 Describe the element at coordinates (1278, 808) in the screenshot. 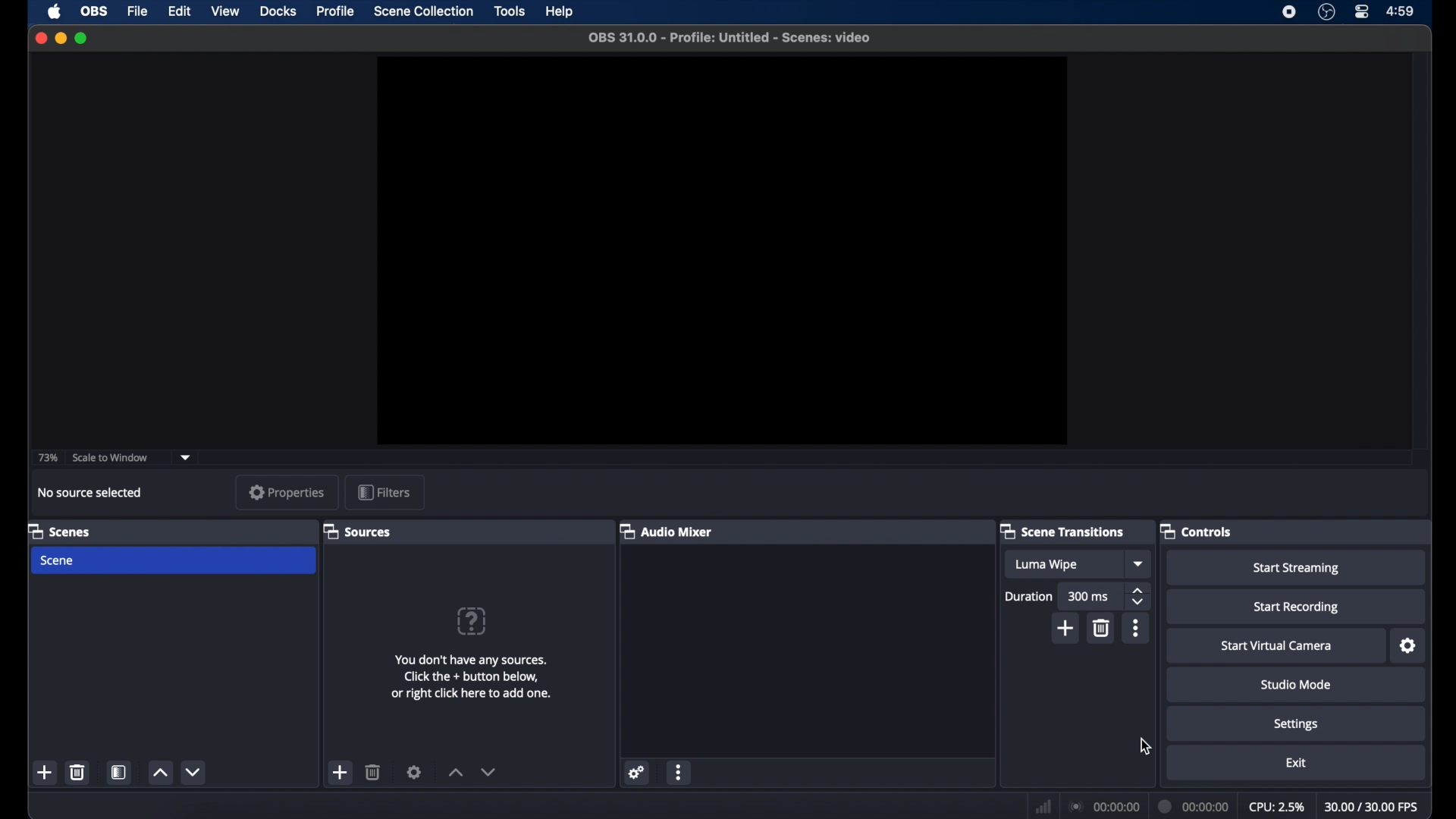

I see `cpu: 2.5%` at that location.